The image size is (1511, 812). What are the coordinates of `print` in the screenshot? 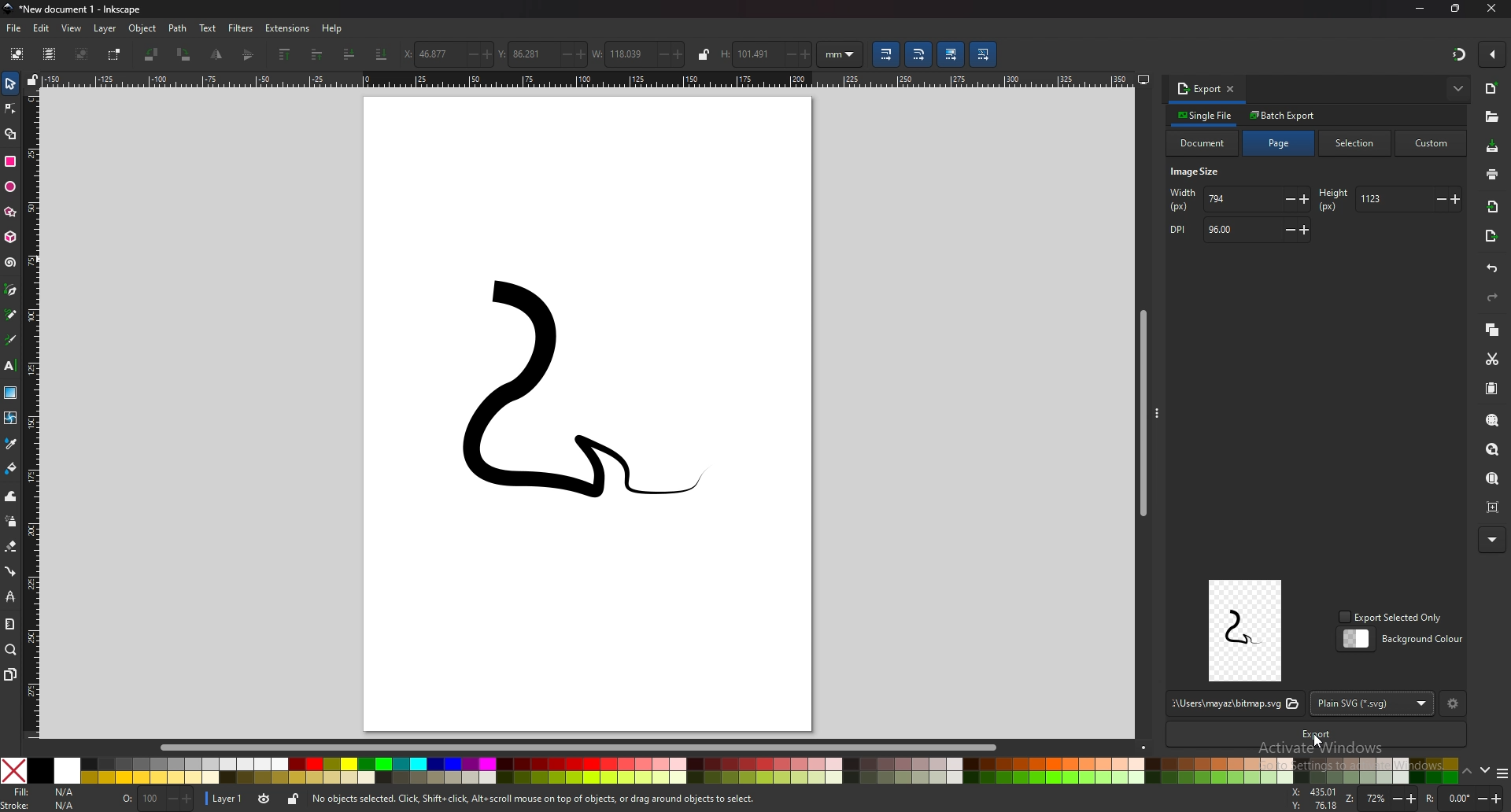 It's located at (1491, 173).